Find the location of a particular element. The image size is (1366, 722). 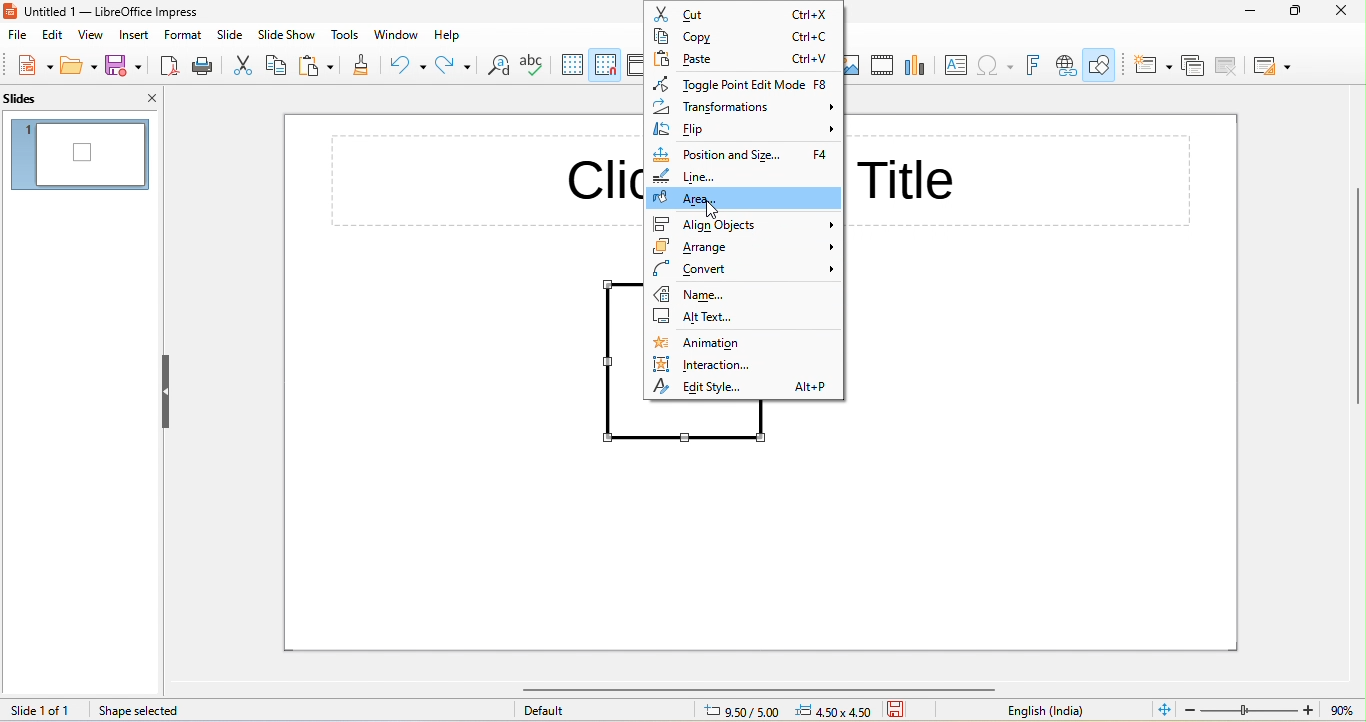

arrange is located at coordinates (744, 247).